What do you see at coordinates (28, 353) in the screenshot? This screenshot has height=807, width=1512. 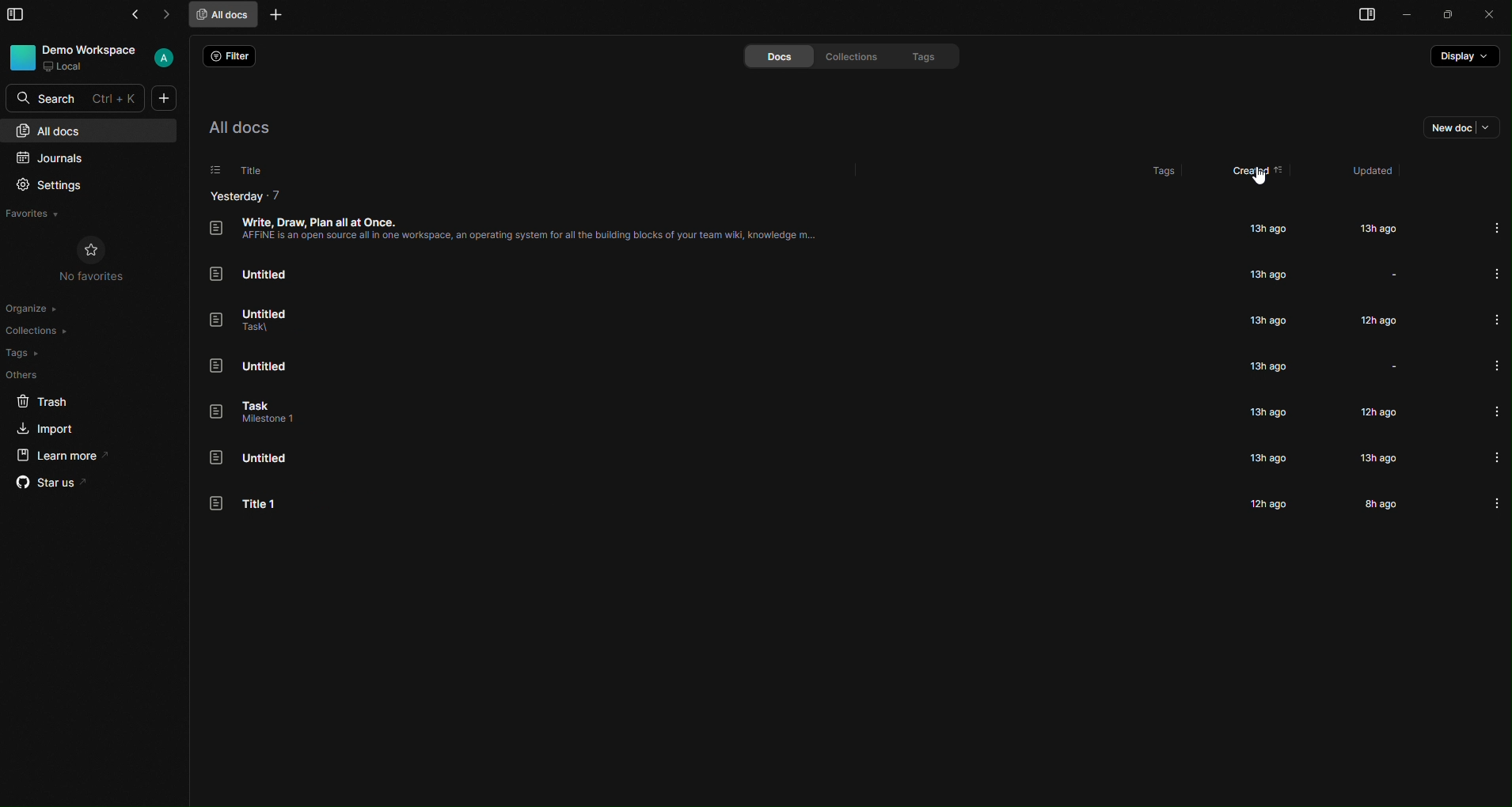 I see `tags` at bounding box center [28, 353].